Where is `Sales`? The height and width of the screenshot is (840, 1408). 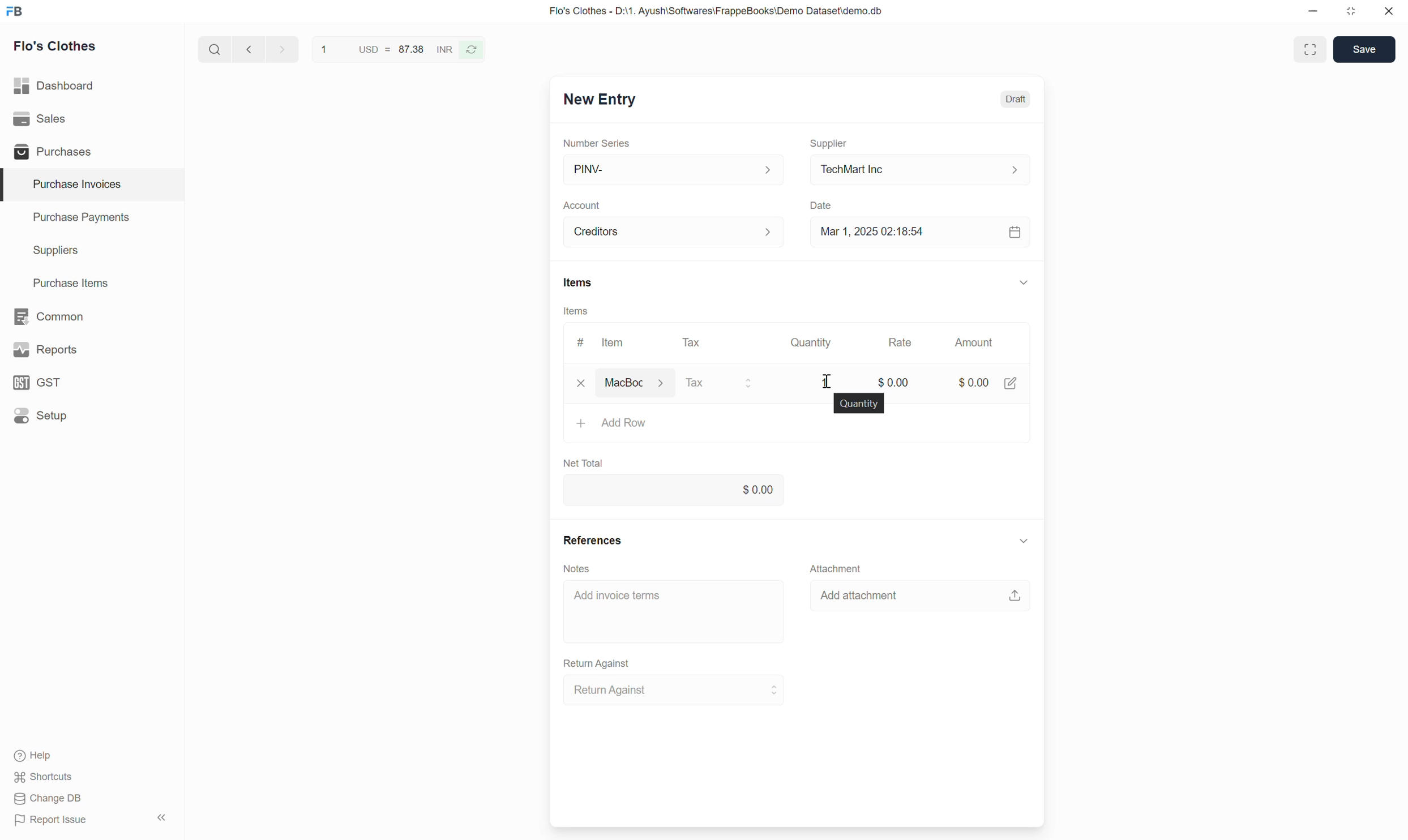
Sales is located at coordinates (92, 119).